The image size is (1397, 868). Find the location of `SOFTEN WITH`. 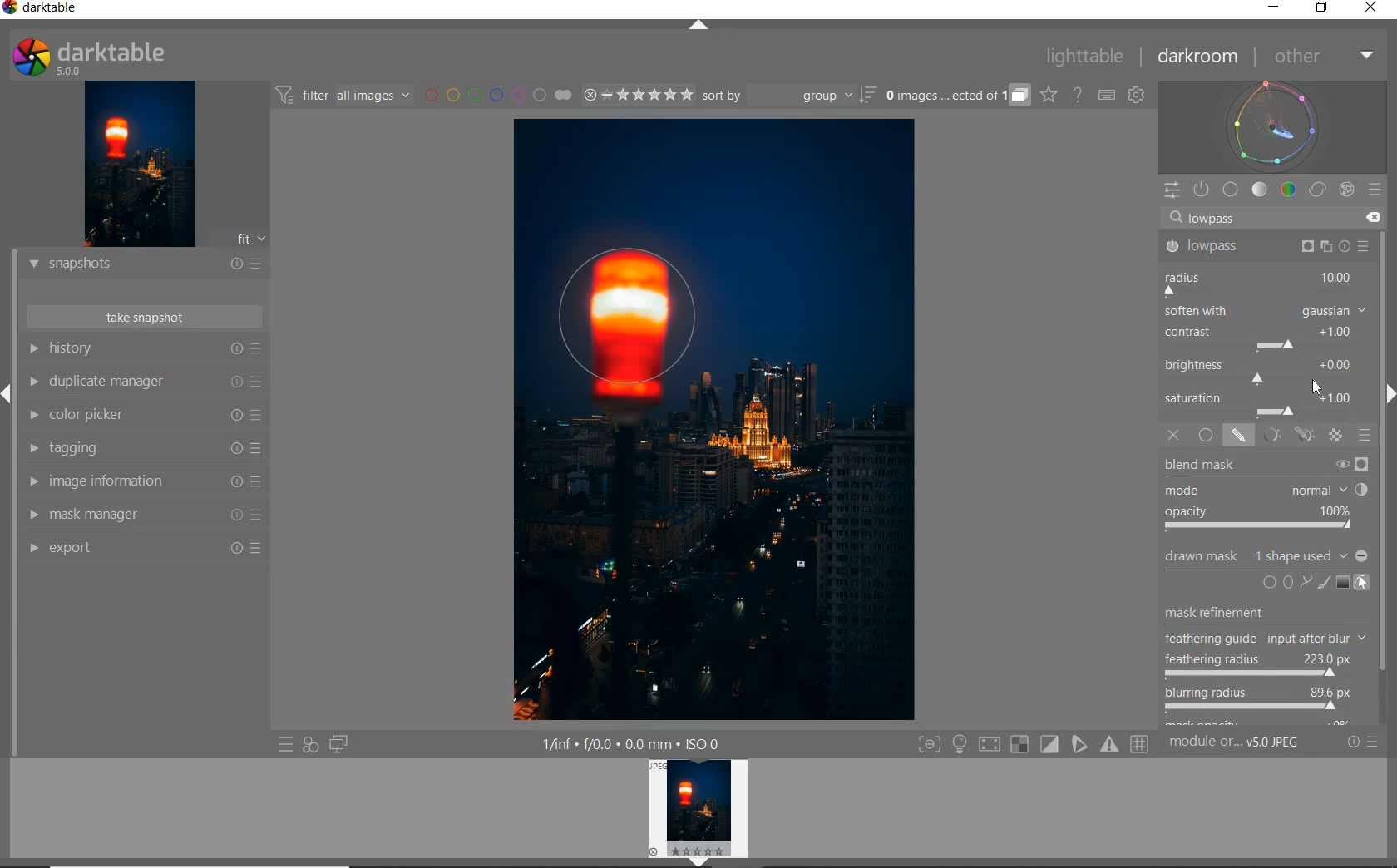

SOFTEN WITH is located at coordinates (1266, 312).